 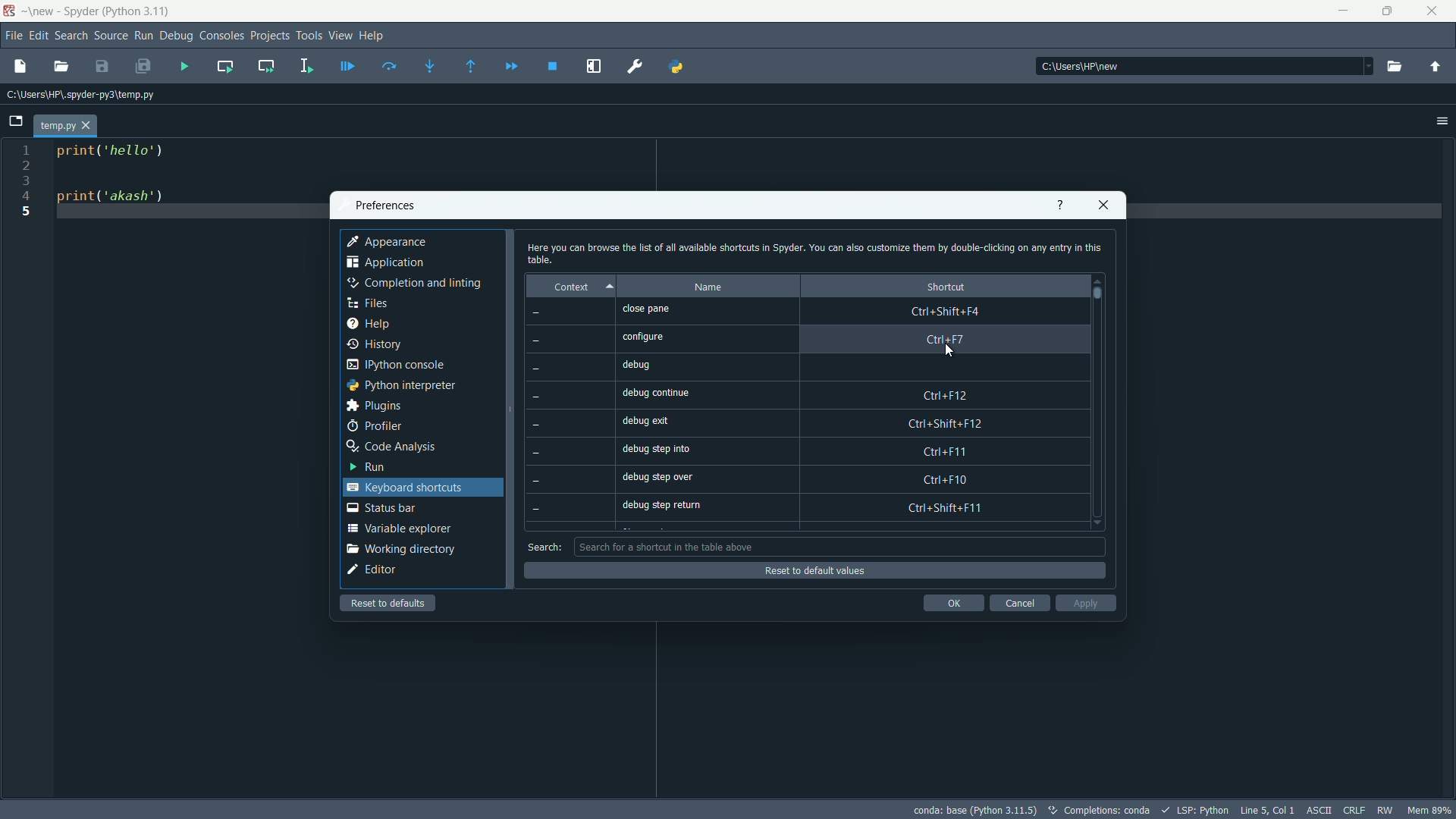 What do you see at coordinates (222, 36) in the screenshot?
I see `consoles menu` at bounding box center [222, 36].